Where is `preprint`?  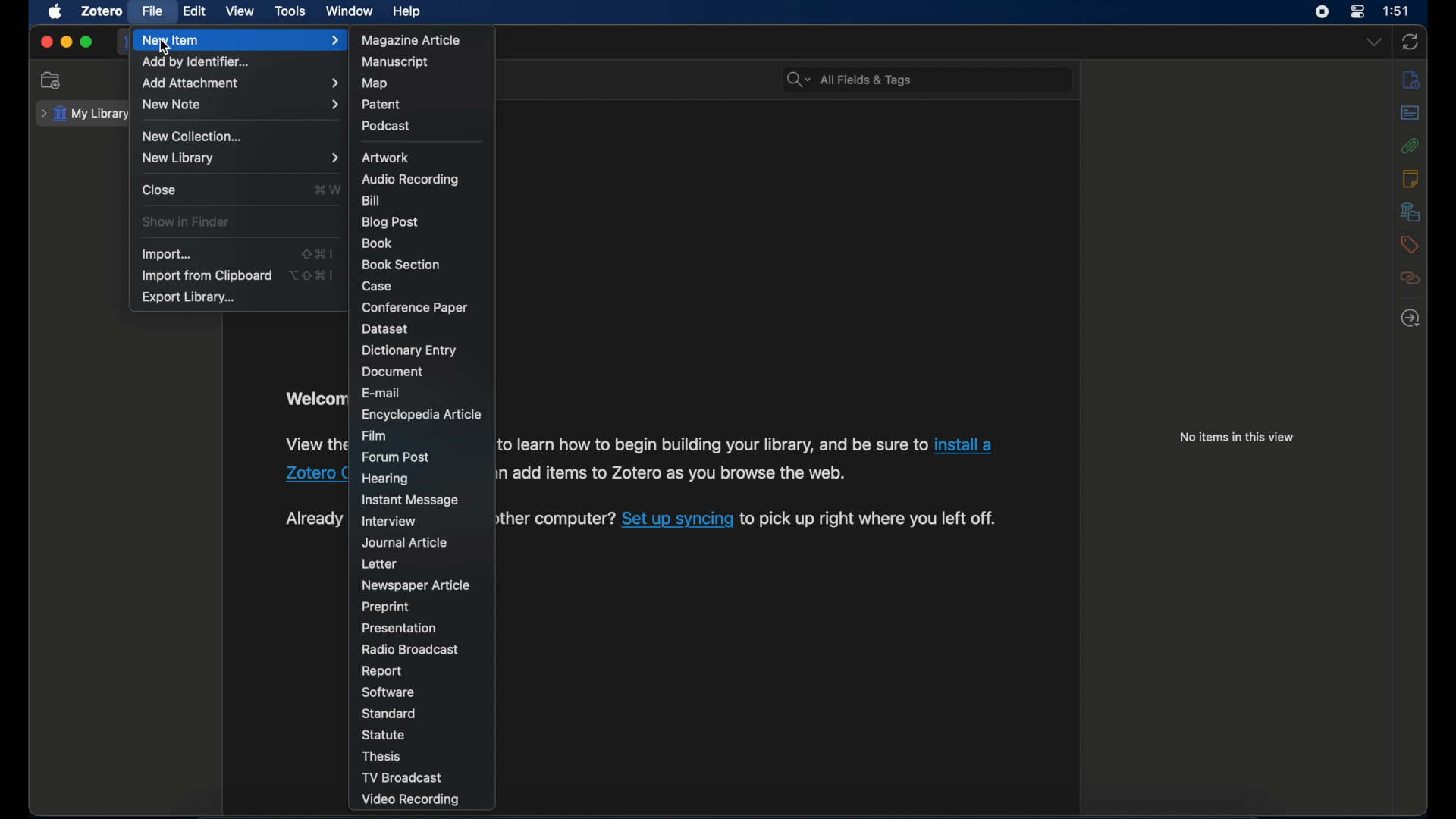 preprint is located at coordinates (387, 607).